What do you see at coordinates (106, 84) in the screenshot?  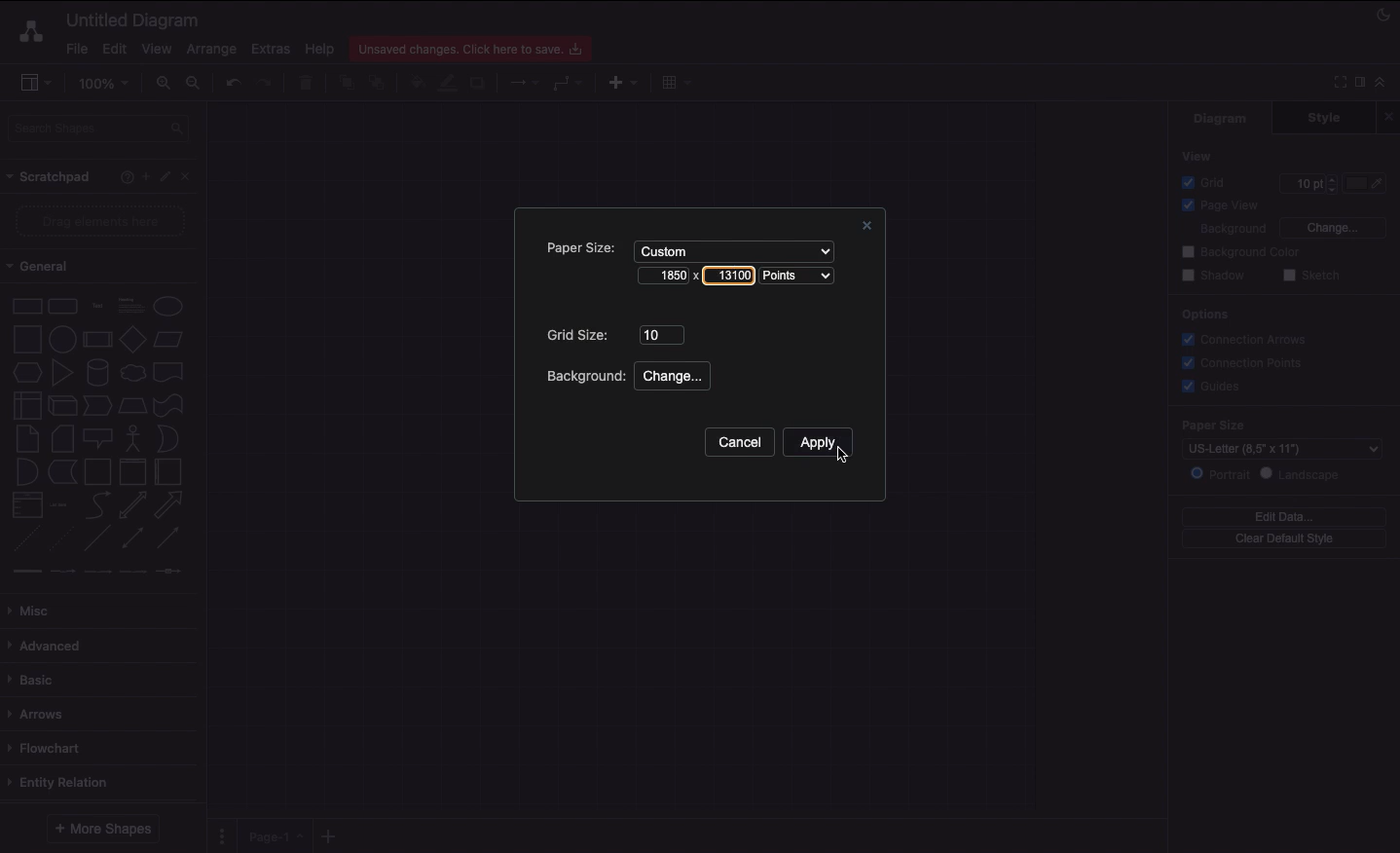 I see `100%` at bounding box center [106, 84].